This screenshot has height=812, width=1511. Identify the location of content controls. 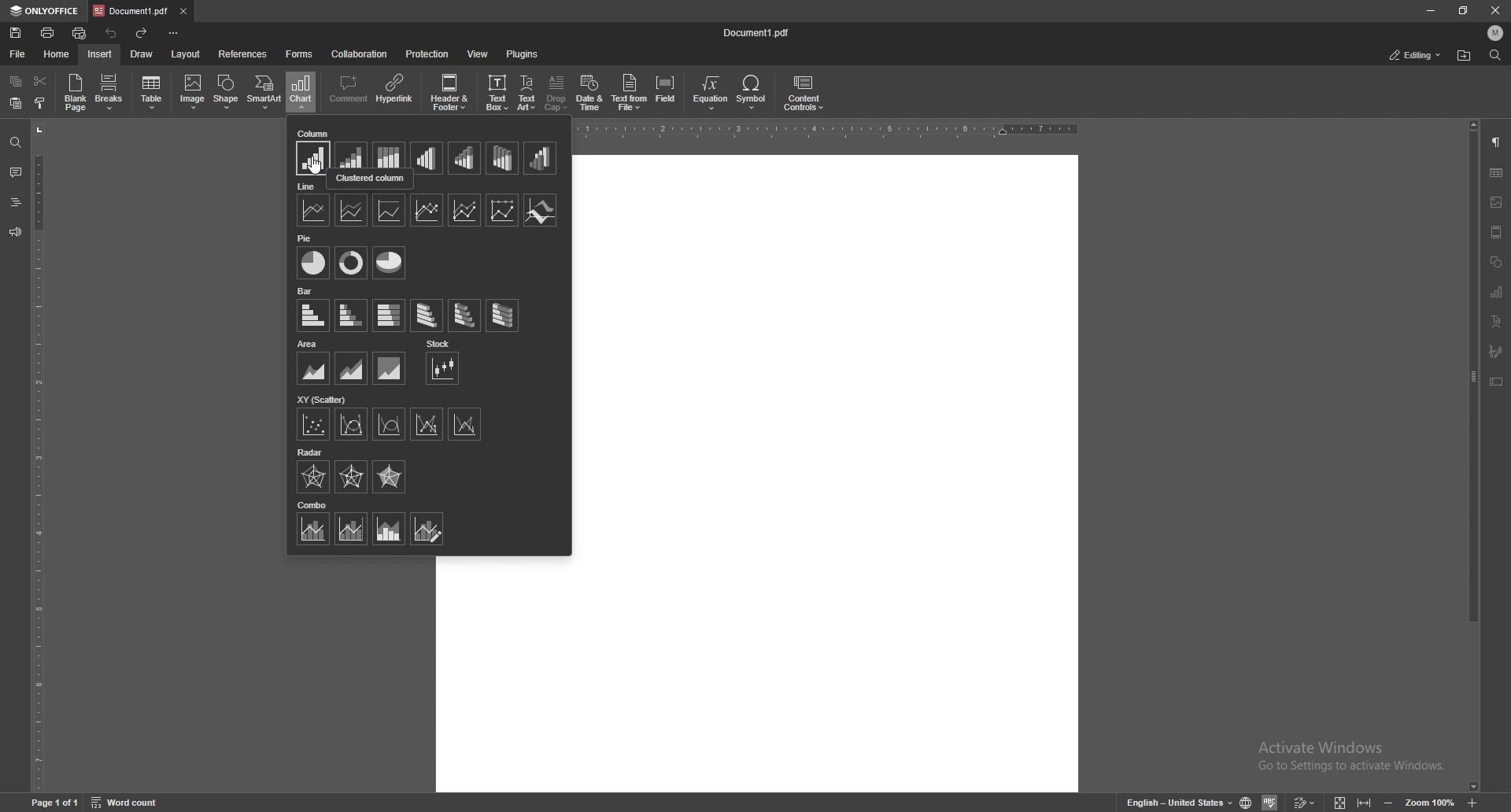
(806, 92).